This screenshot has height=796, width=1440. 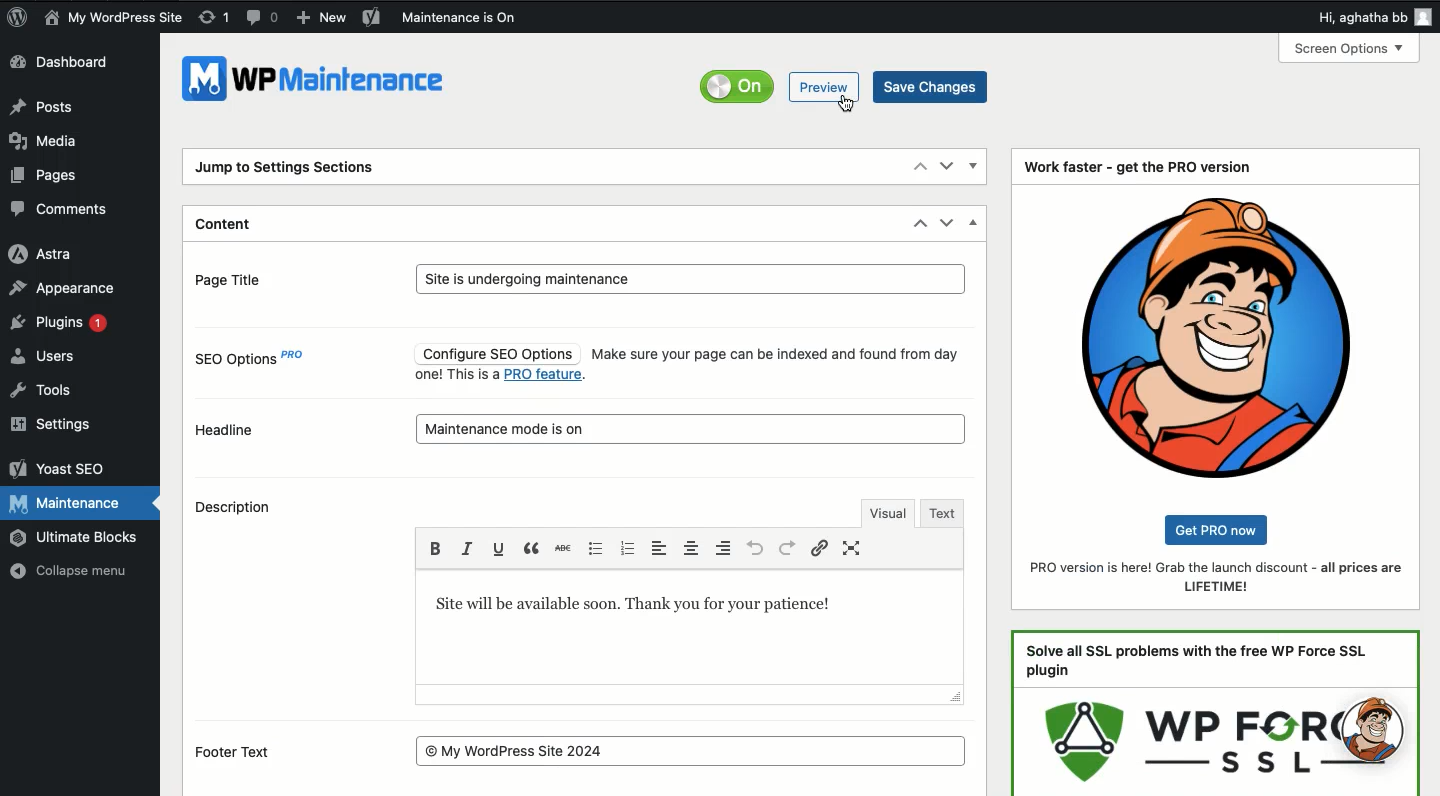 What do you see at coordinates (975, 167) in the screenshot?
I see `Show` at bounding box center [975, 167].